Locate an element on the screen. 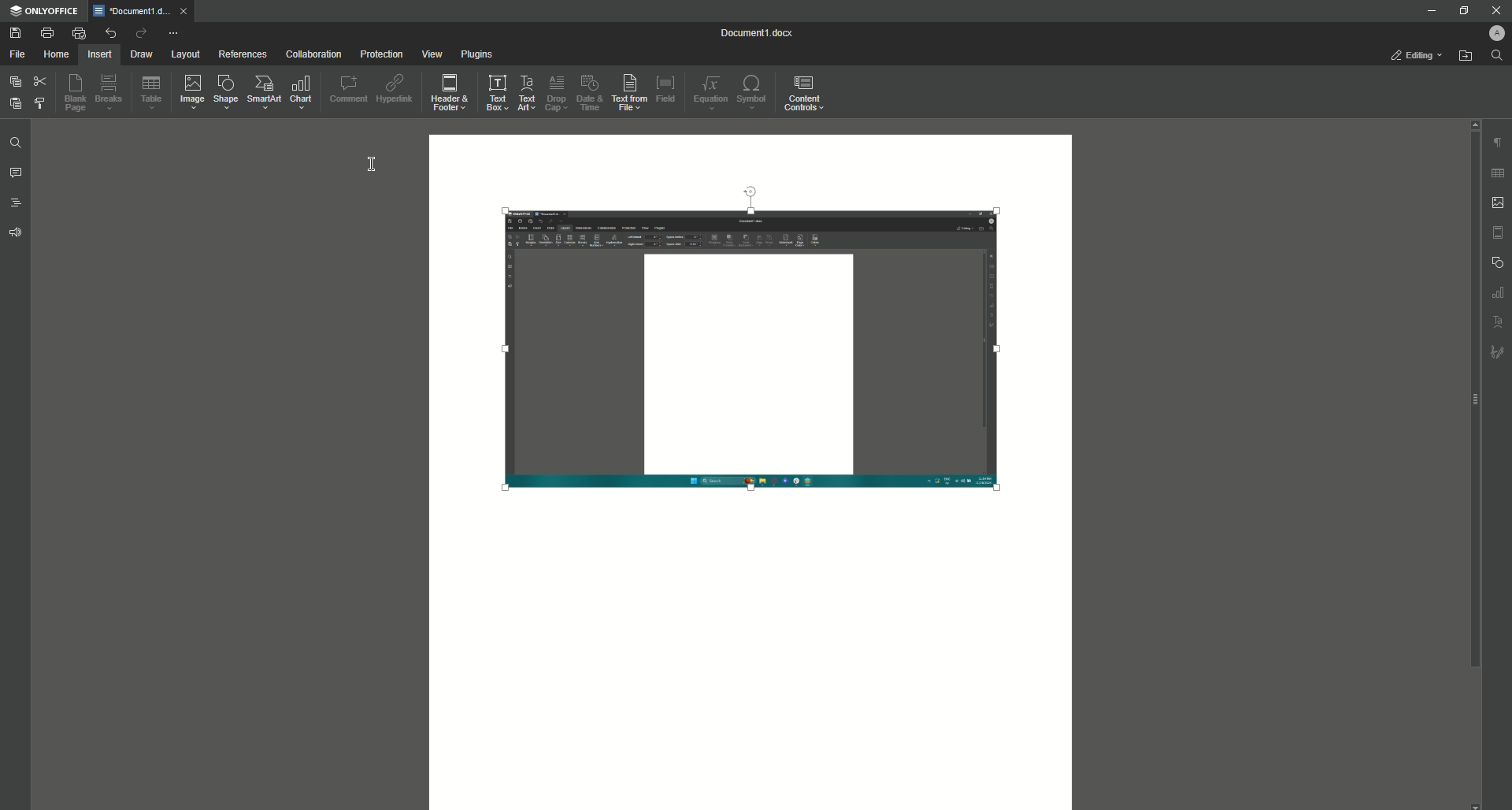 Image resolution: width=1512 pixels, height=810 pixels. Redo is located at coordinates (140, 32).